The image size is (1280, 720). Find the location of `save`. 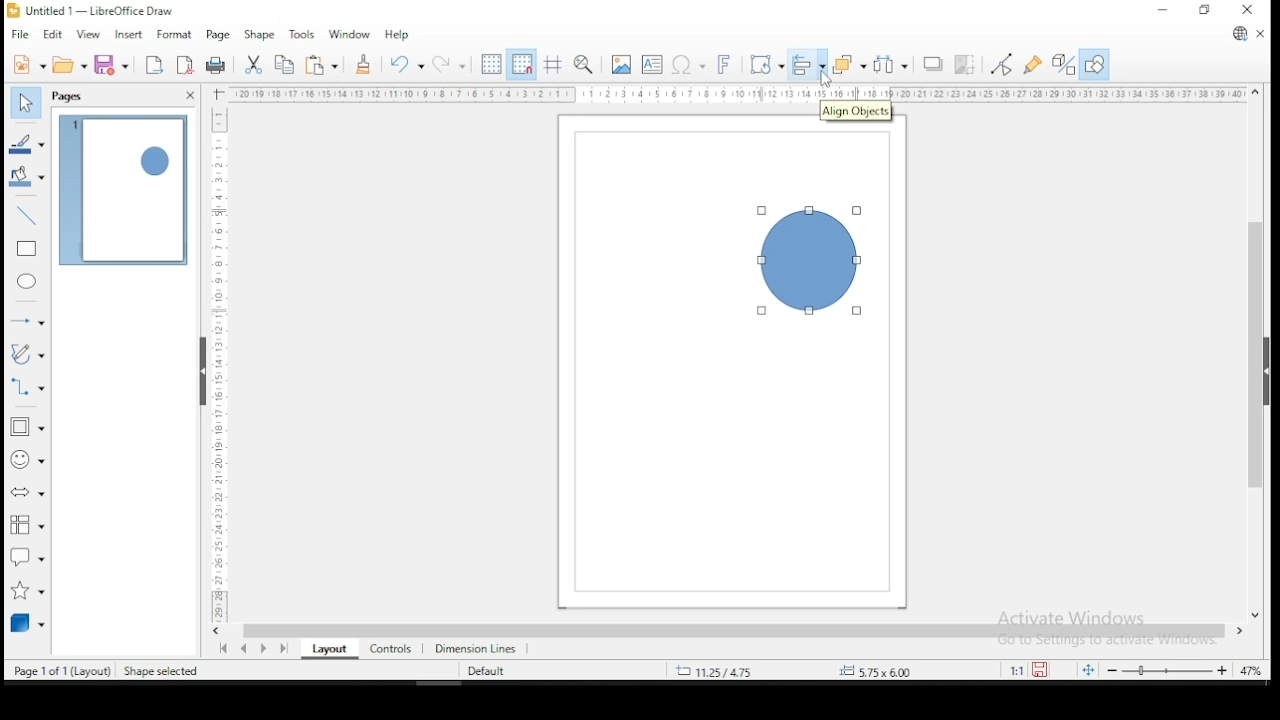

save is located at coordinates (1042, 670).